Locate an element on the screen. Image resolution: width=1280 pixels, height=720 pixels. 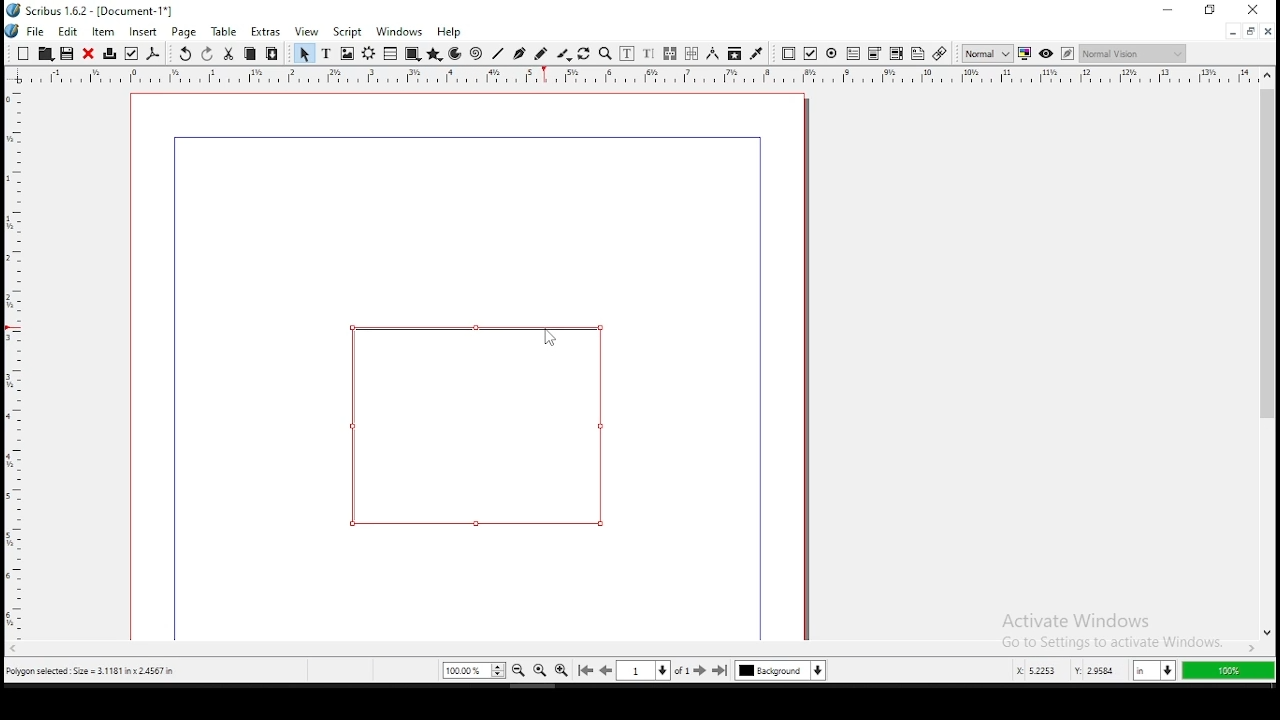
toggle image preview quality is located at coordinates (986, 53).